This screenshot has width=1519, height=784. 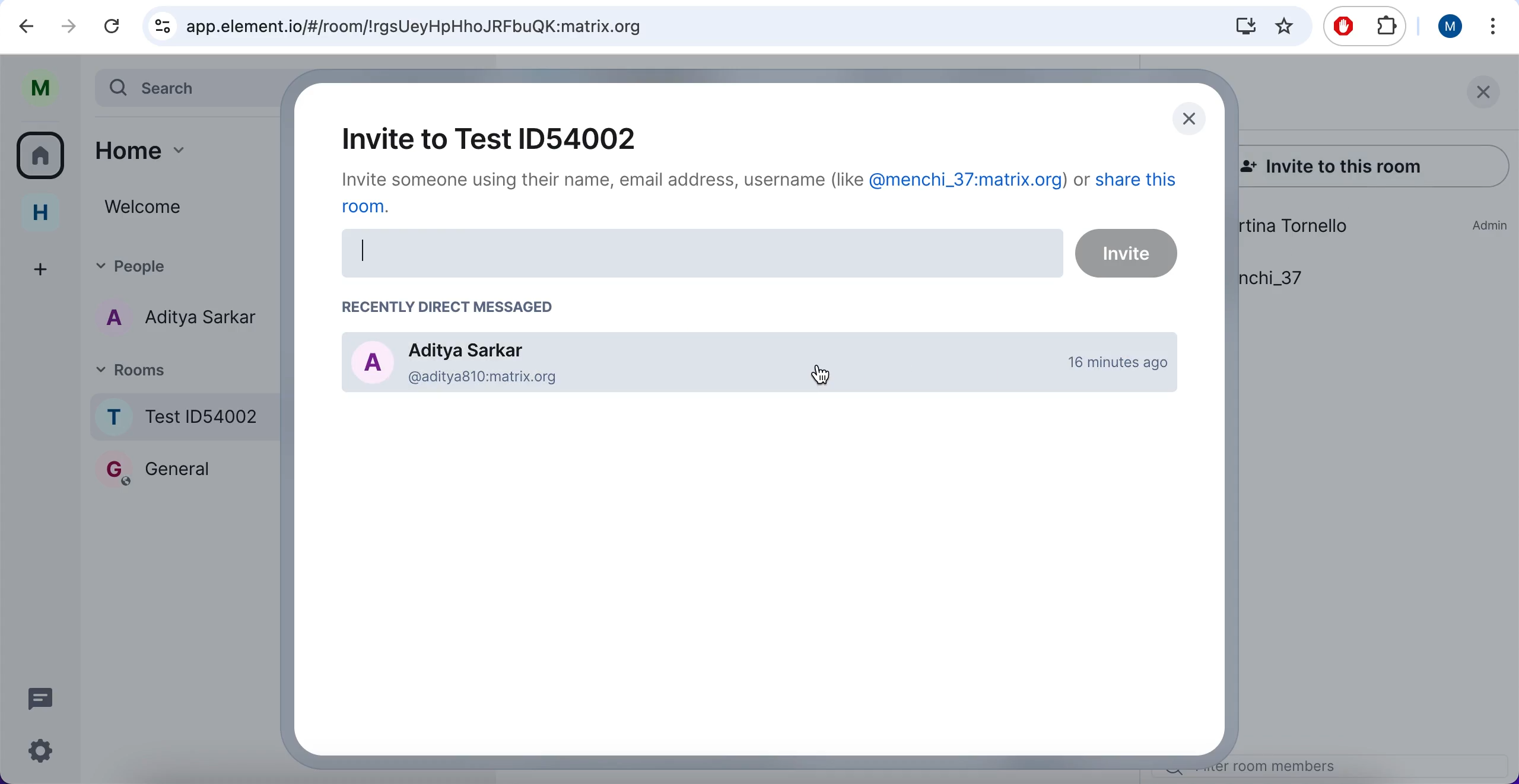 I want to click on invite someone using their name, so click(x=773, y=198).